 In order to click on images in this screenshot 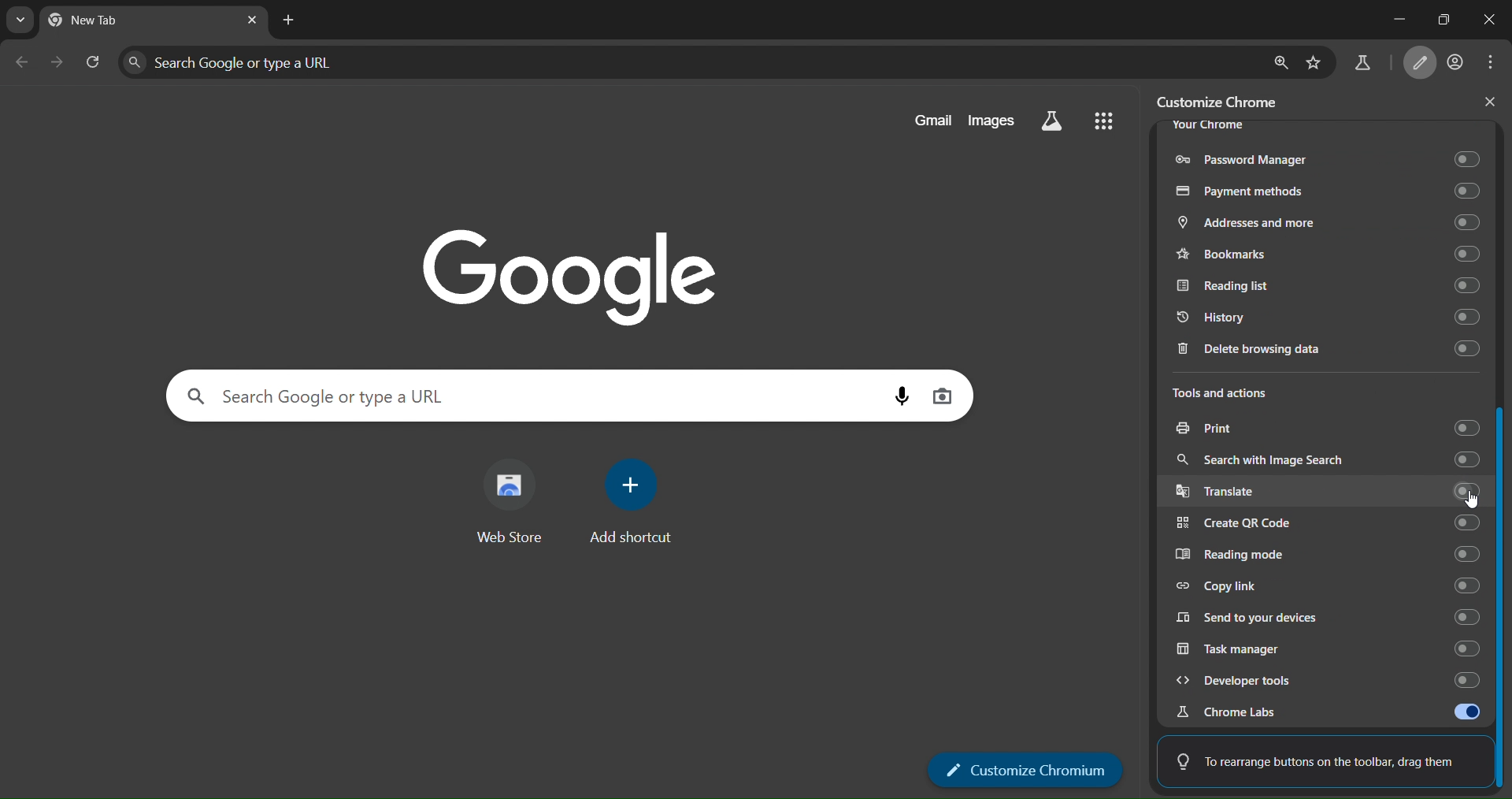, I will do `click(995, 120)`.